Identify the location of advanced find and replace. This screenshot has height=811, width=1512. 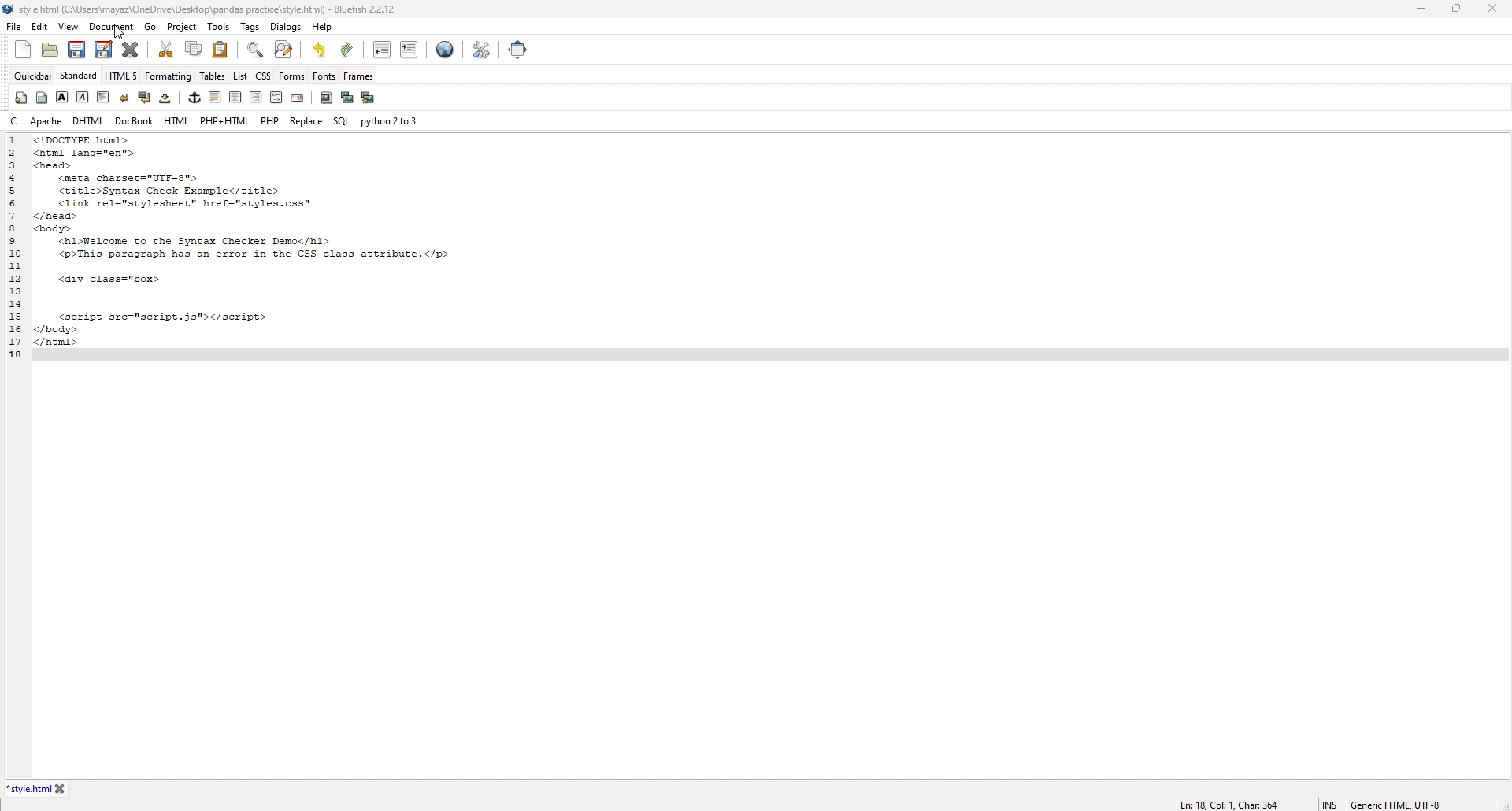
(283, 49).